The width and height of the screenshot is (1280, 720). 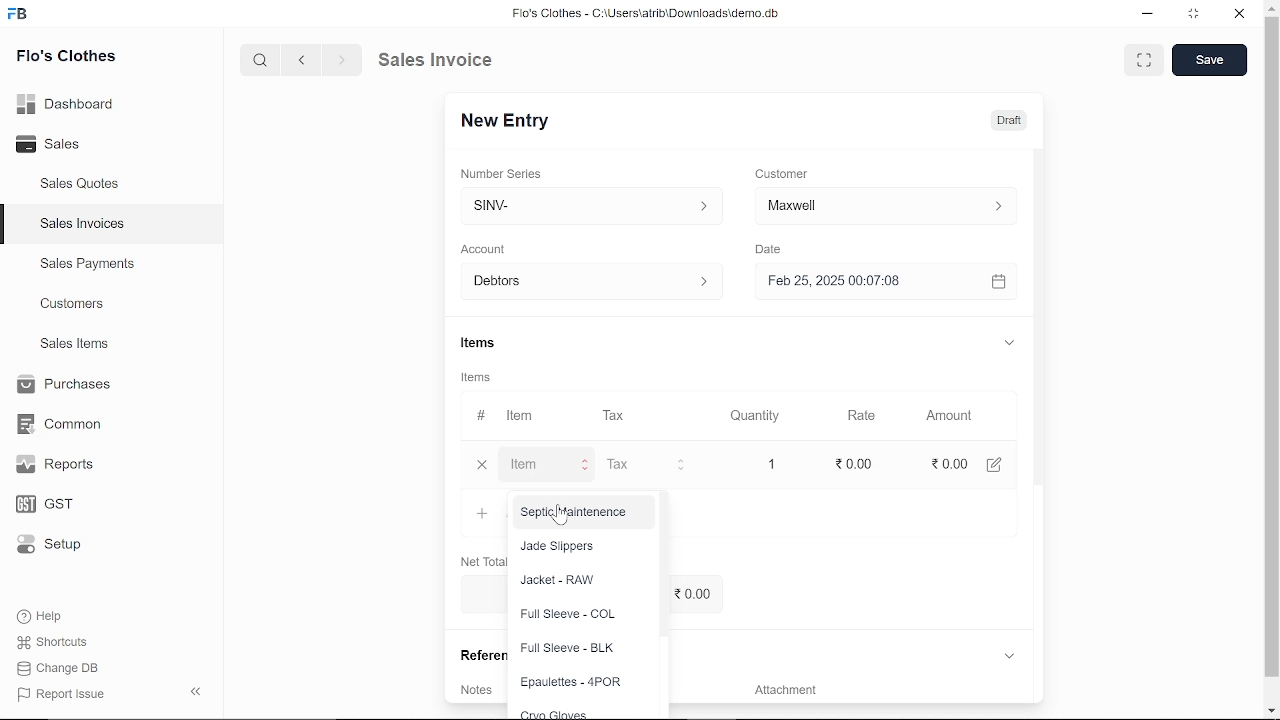 I want to click on References., so click(x=480, y=656).